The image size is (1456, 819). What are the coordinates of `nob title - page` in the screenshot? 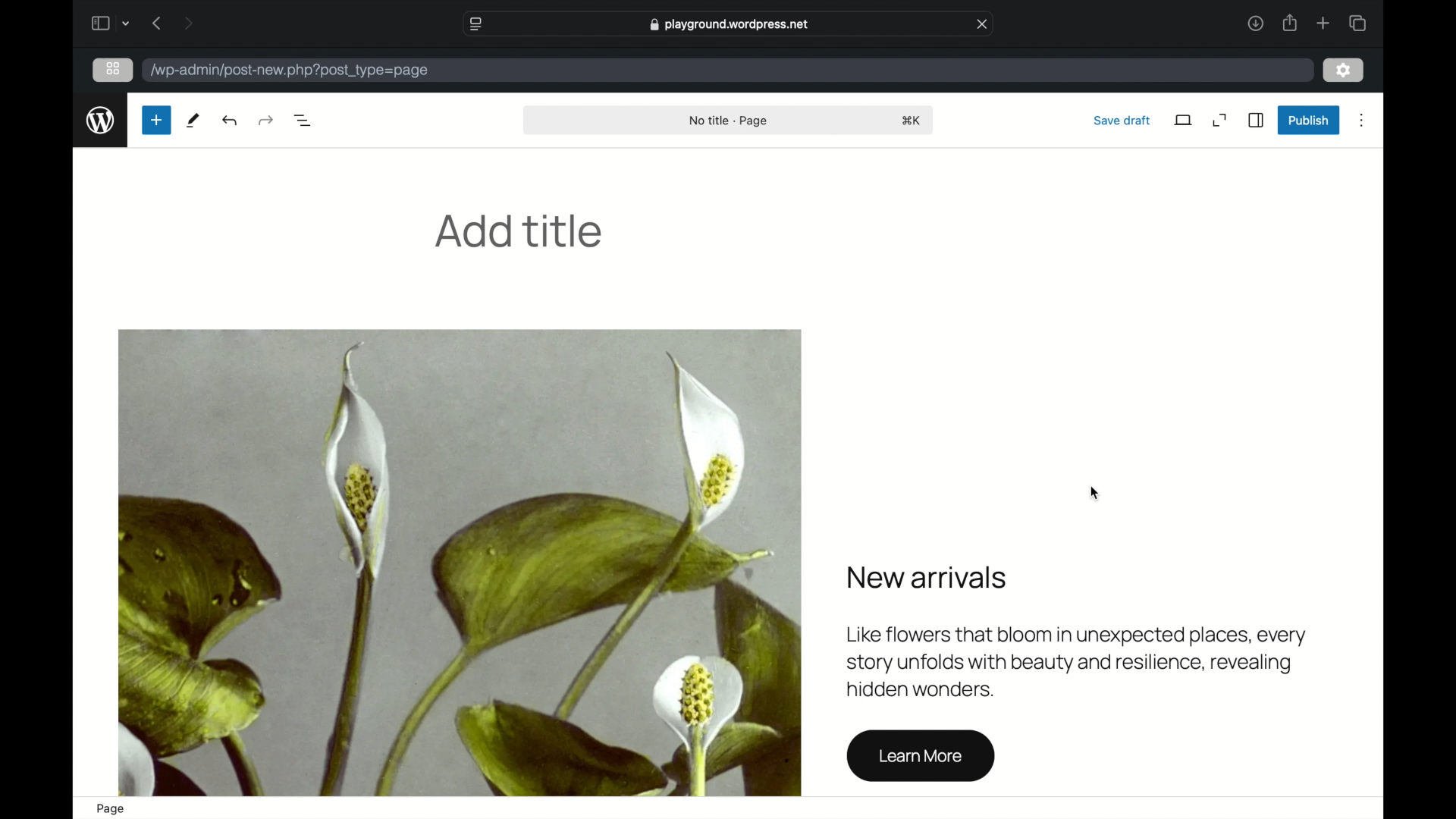 It's located at (730, 121).